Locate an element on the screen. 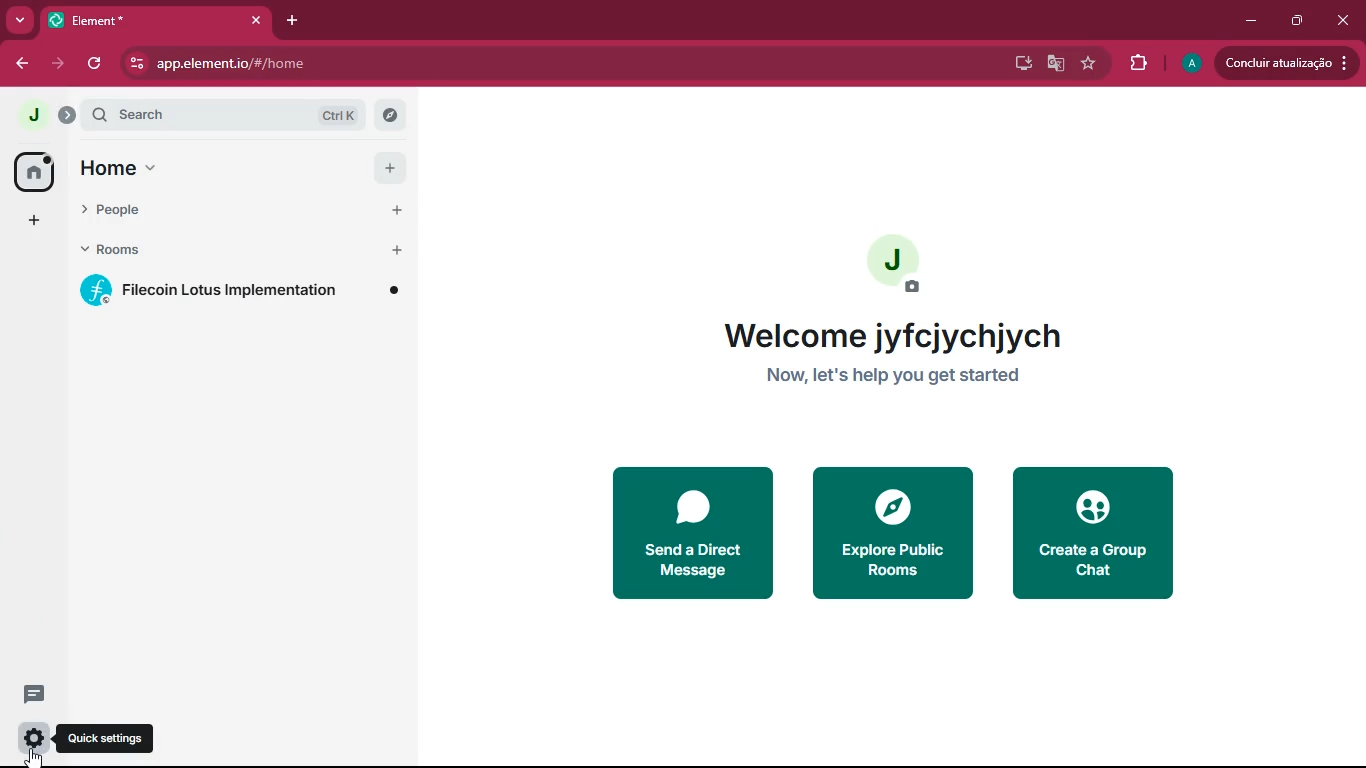 The width and height of the screenshot is (1366, 768). maximize is located at coordinates (1298, 21).